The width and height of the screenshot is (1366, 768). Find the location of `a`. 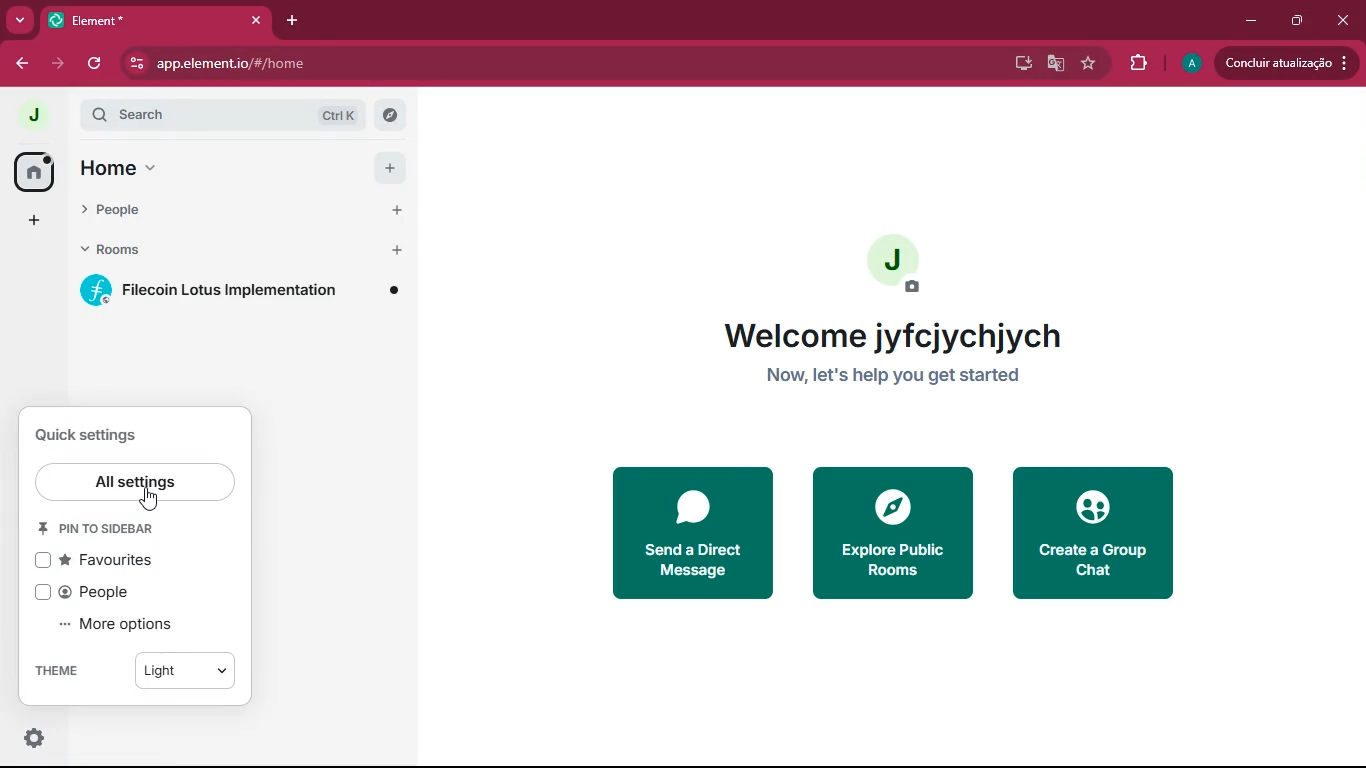

a is located at coordinates (1192, 64).